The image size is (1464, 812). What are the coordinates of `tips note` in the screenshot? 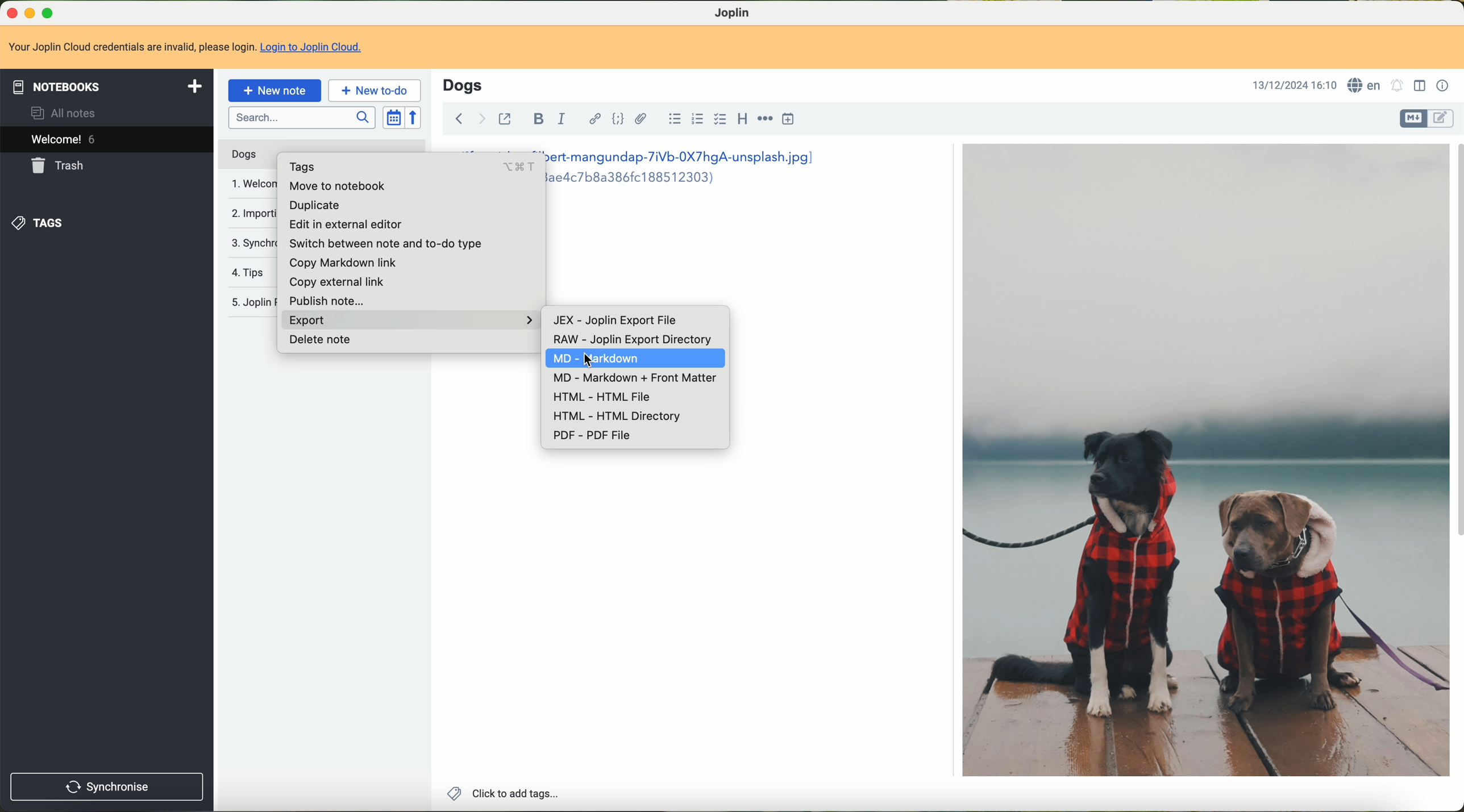 It's located at (252, 272).